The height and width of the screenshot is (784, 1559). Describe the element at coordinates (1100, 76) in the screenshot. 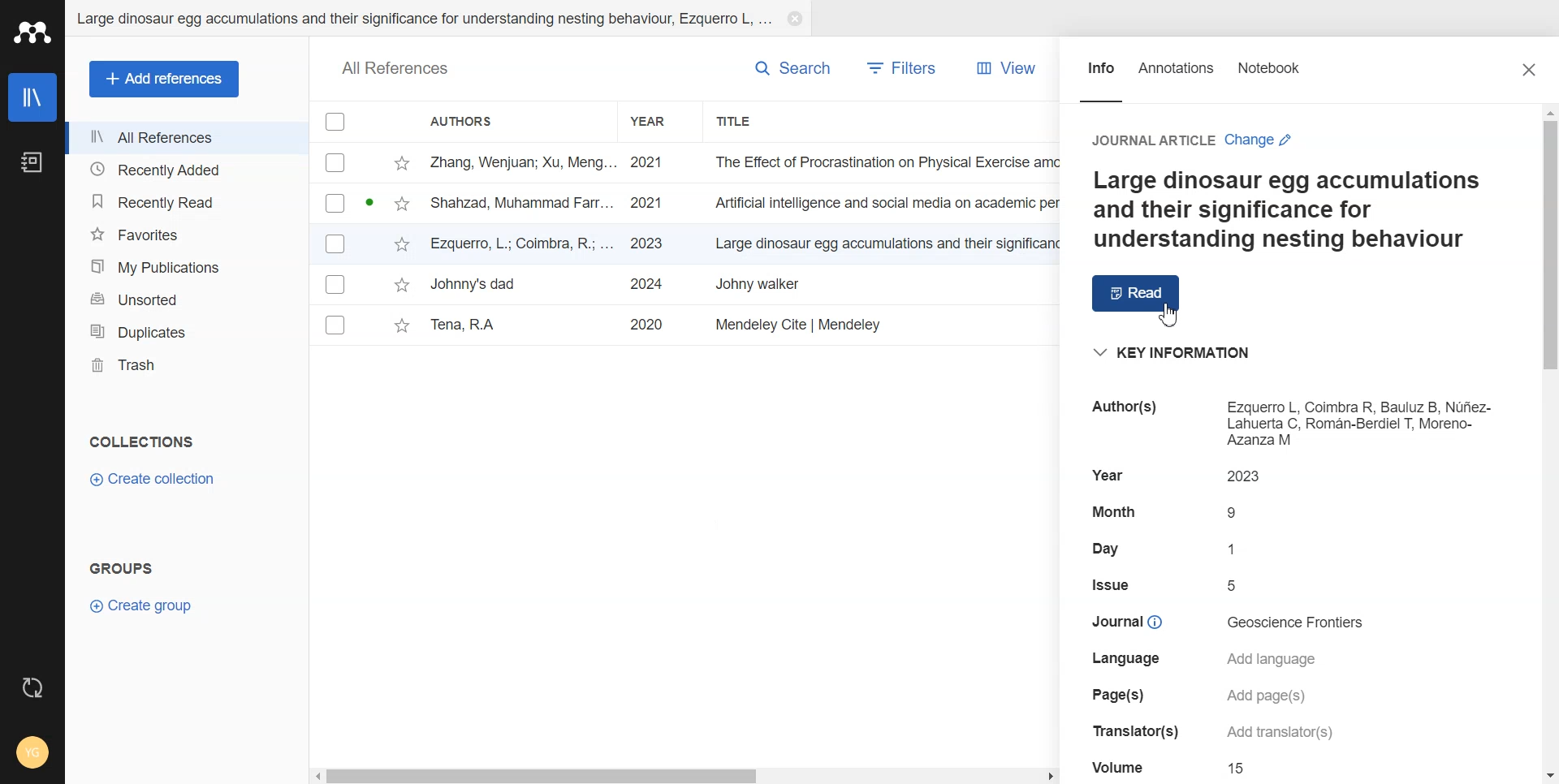

I see `Info` at that location.